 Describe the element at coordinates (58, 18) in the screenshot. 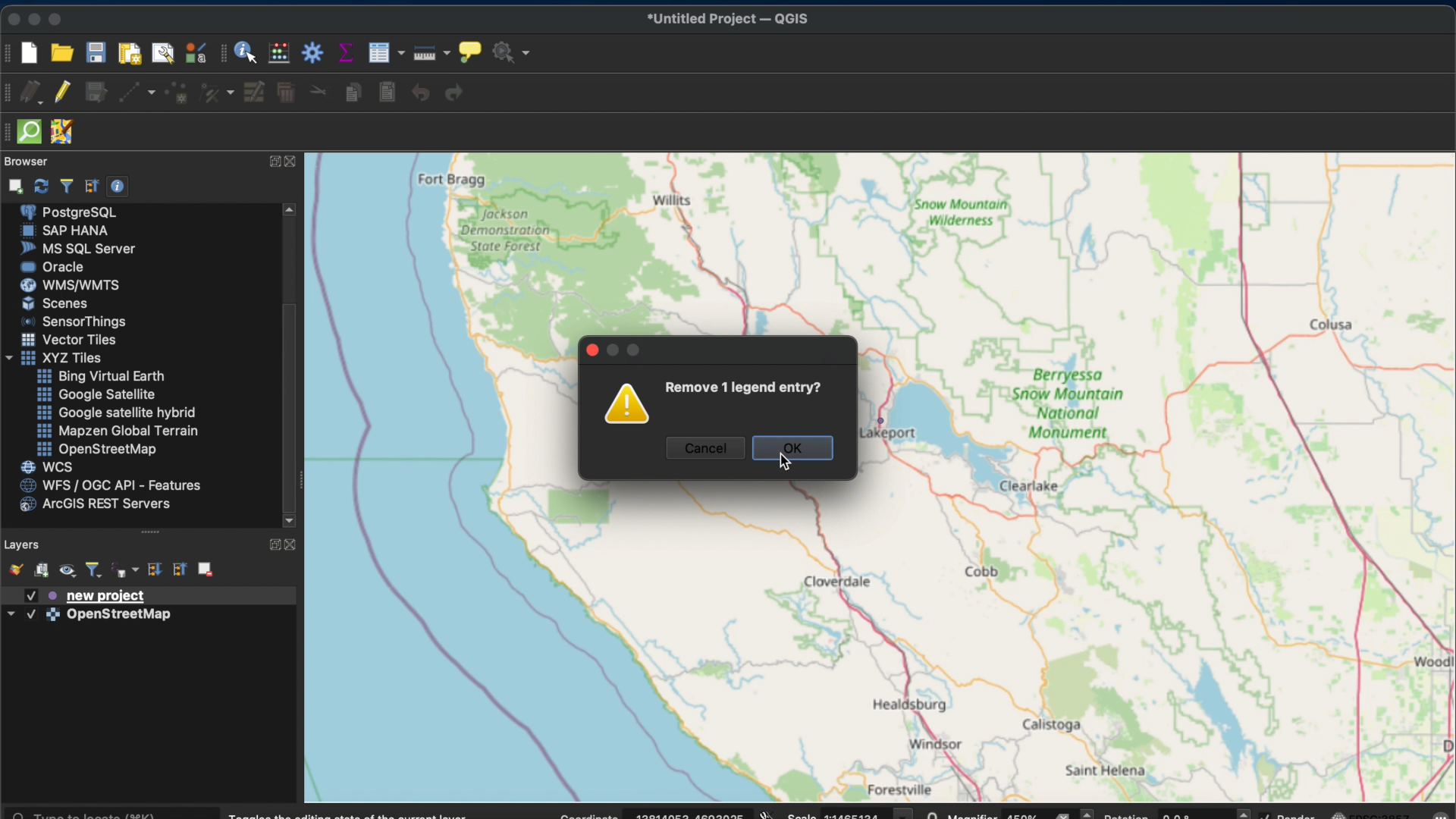

I see `maximize` at that location.